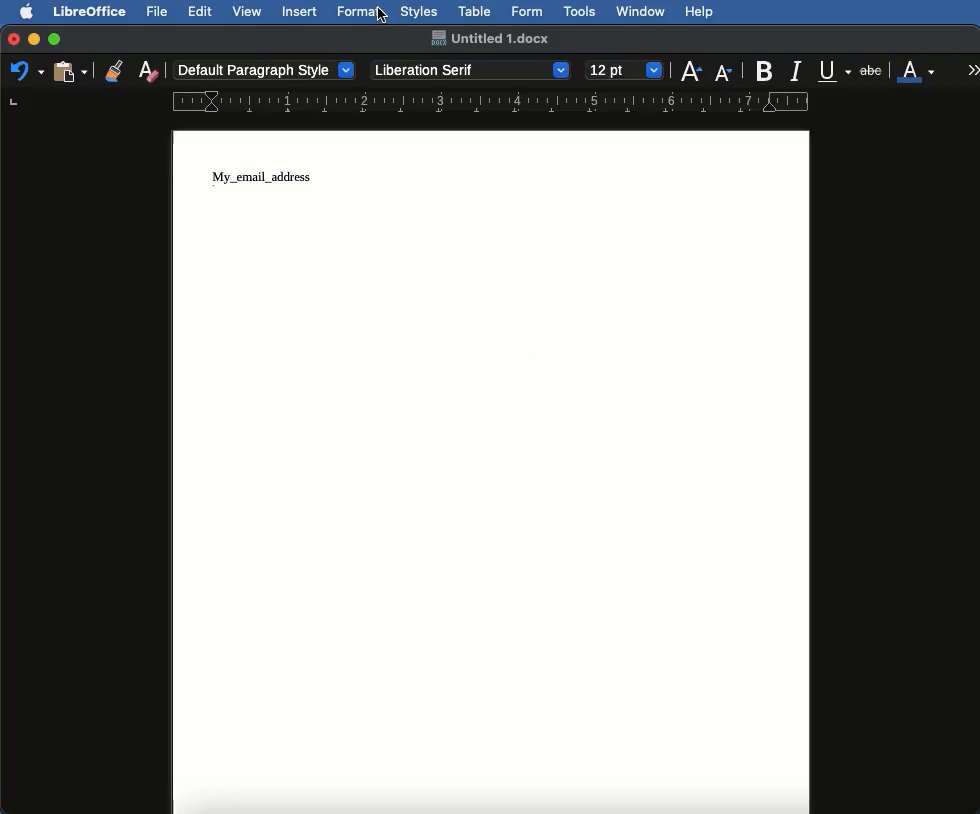  I want to click on Size, so click(626, 71).